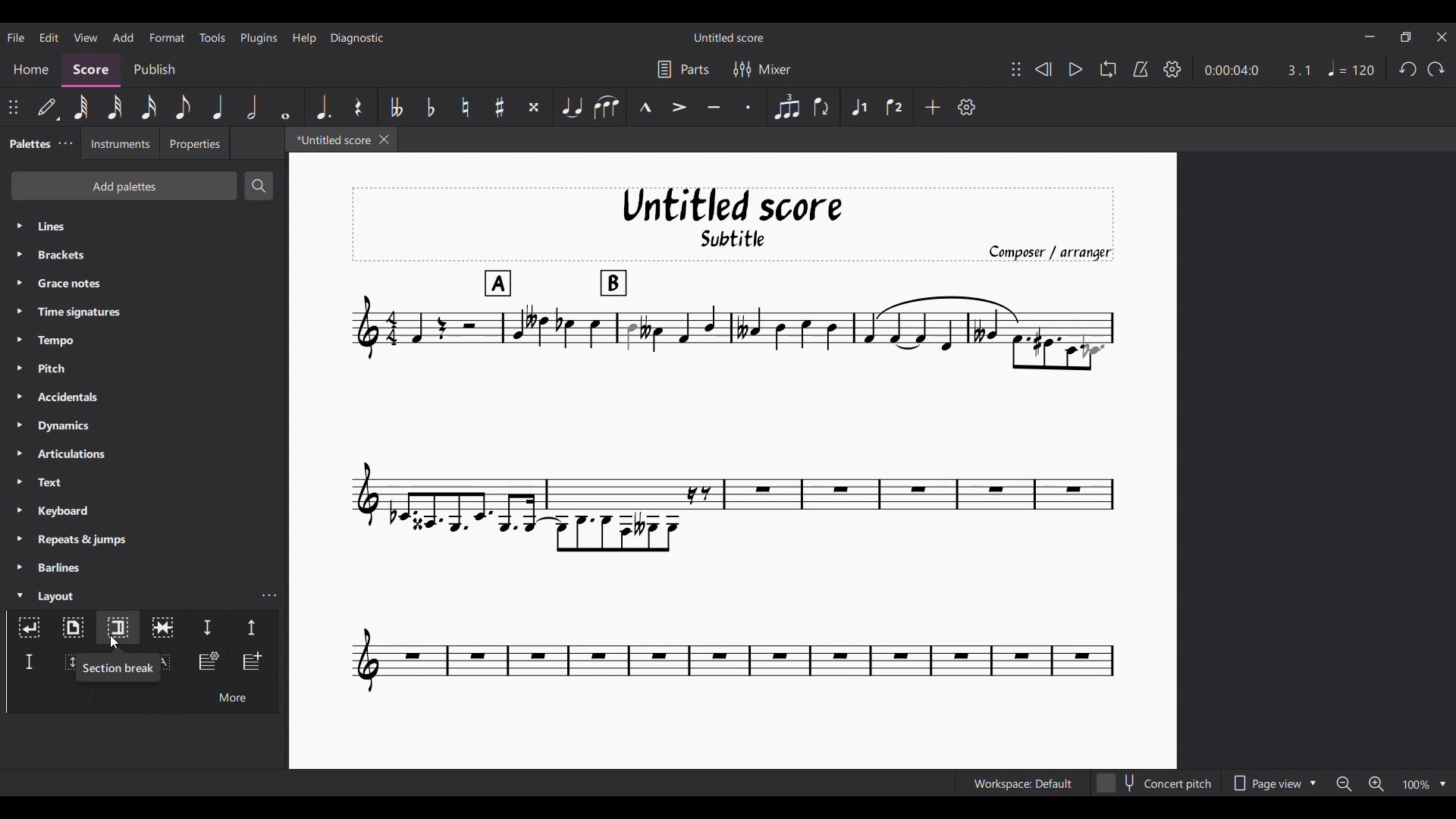  Describe the element at coordinates (13, 107) in the screenshot. I see `Change position` at that location.